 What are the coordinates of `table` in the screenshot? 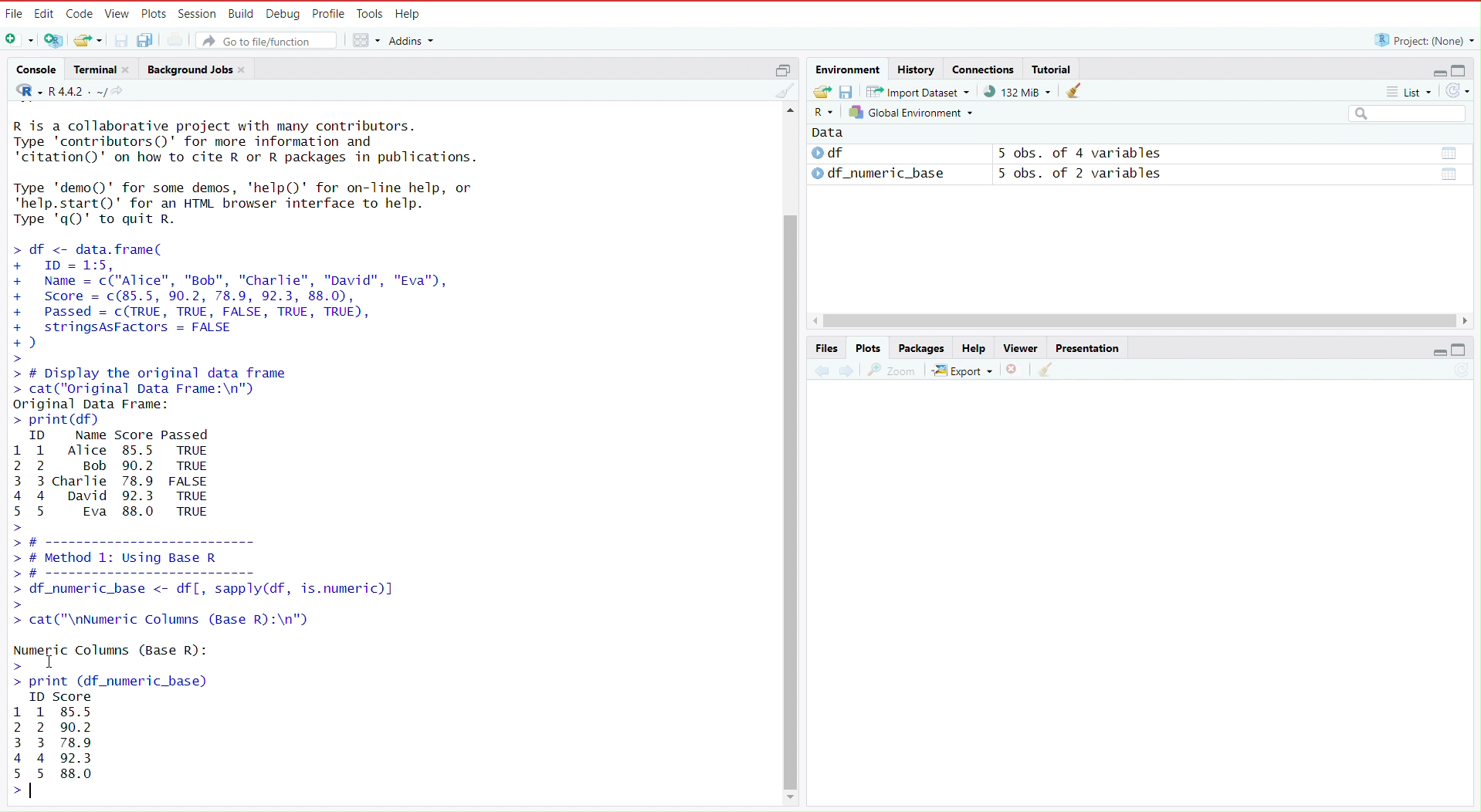 It's located at (1452, 153).